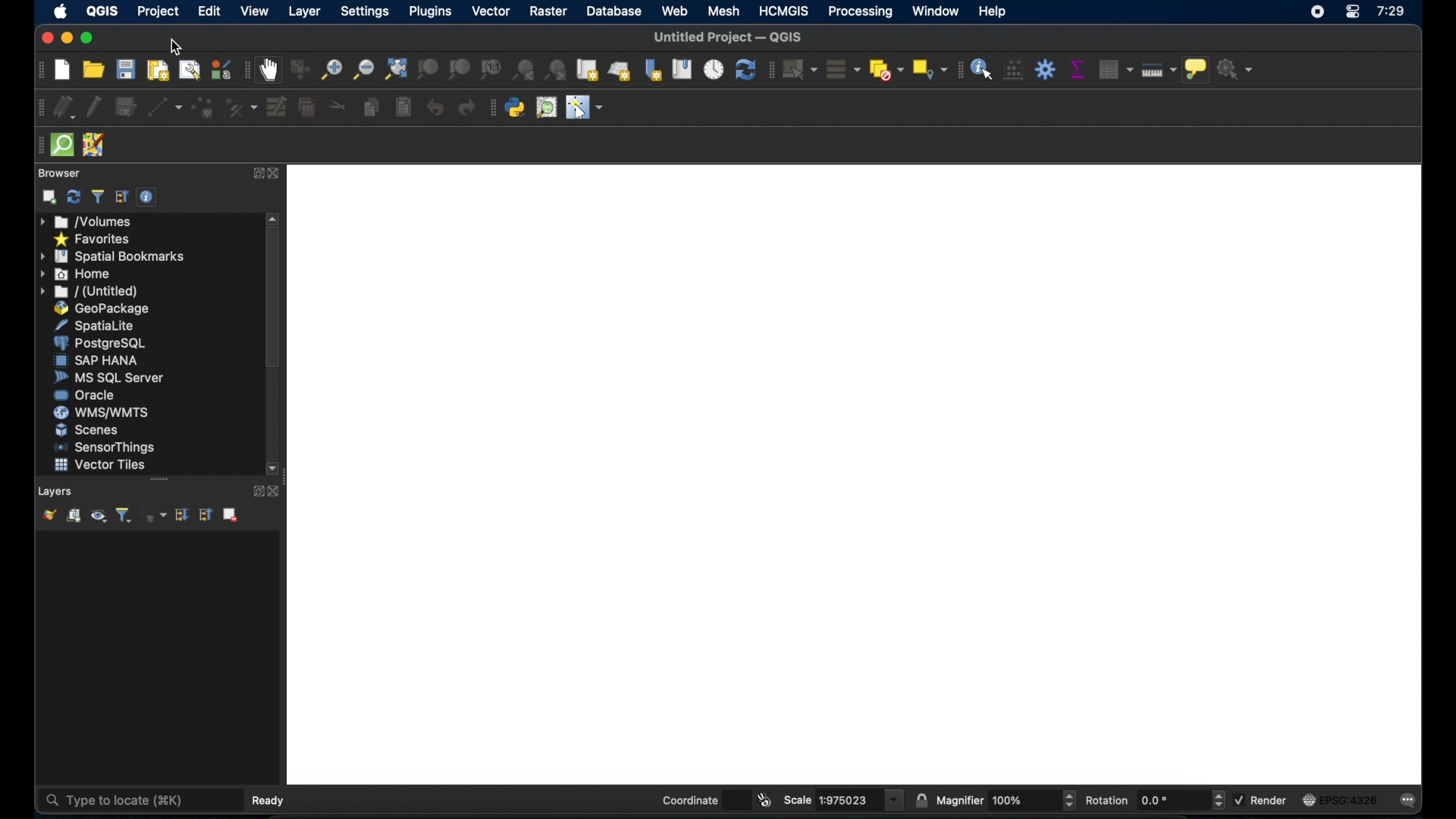  I want to click on selection toolbar, so click(770, 71).